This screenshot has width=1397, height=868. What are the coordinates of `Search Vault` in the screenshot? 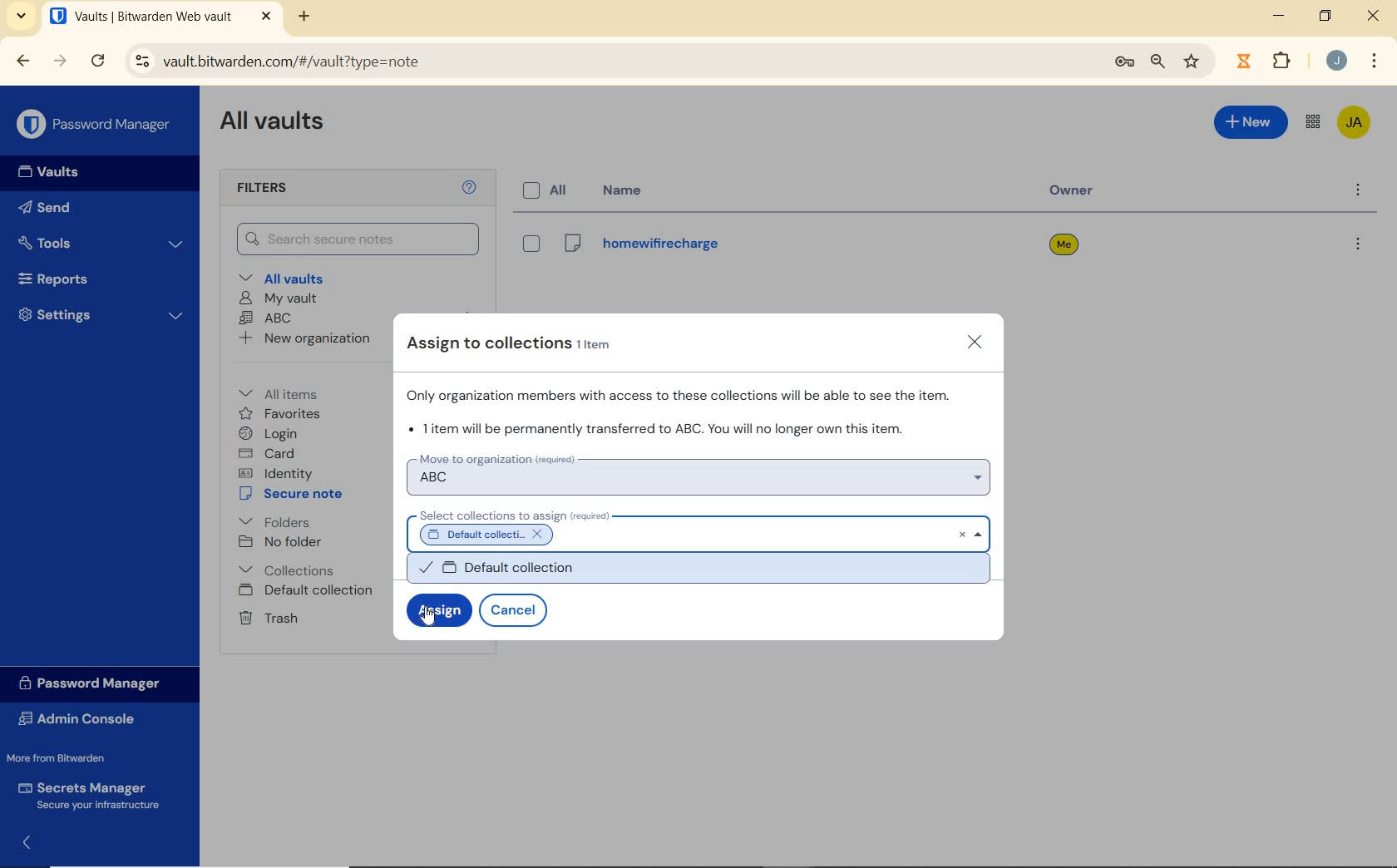 It's located at (358, 240).